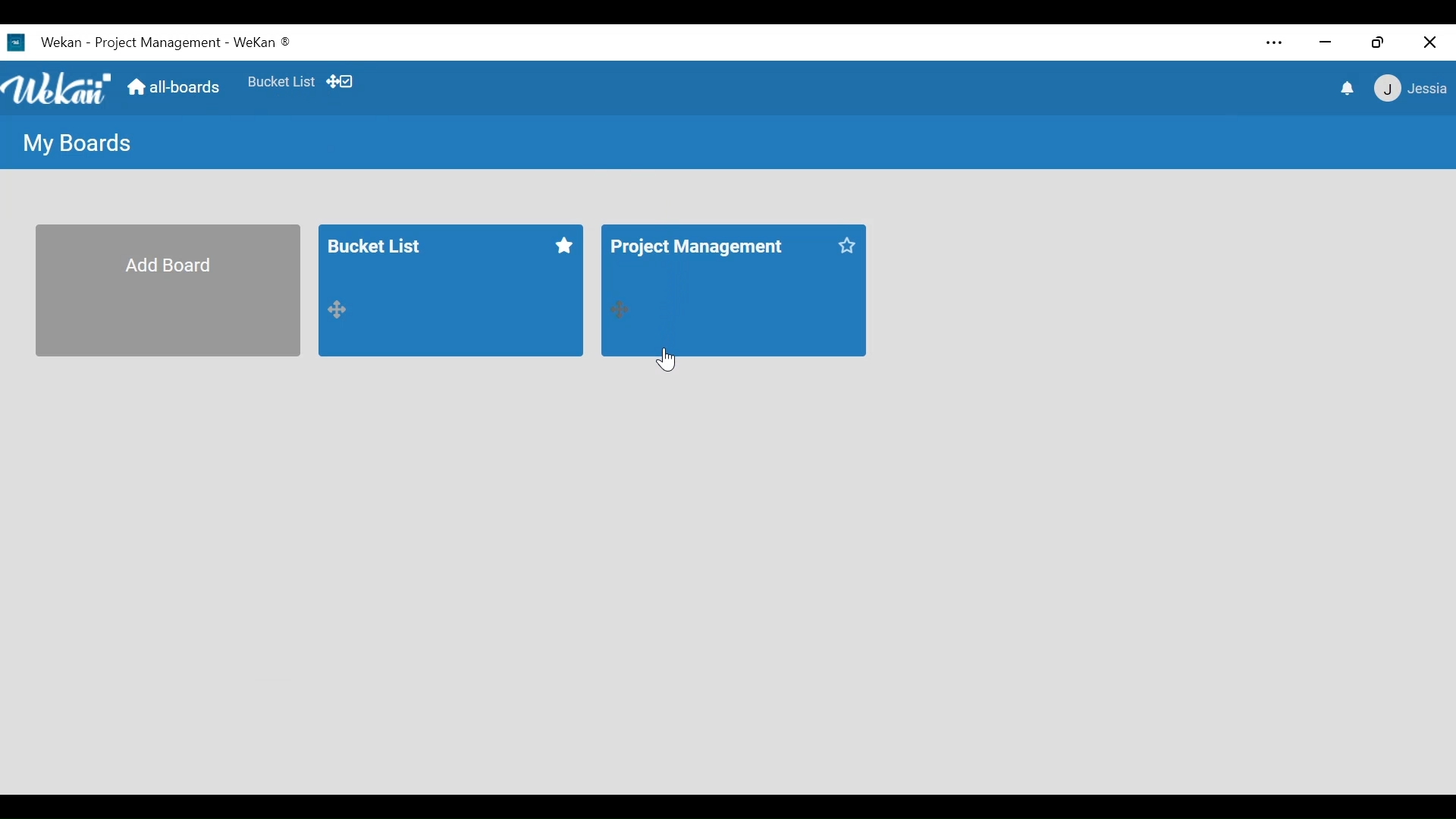 The width and height of the screenshot is (1456, 819). I want to click on settings and more, so click(1276, 42).